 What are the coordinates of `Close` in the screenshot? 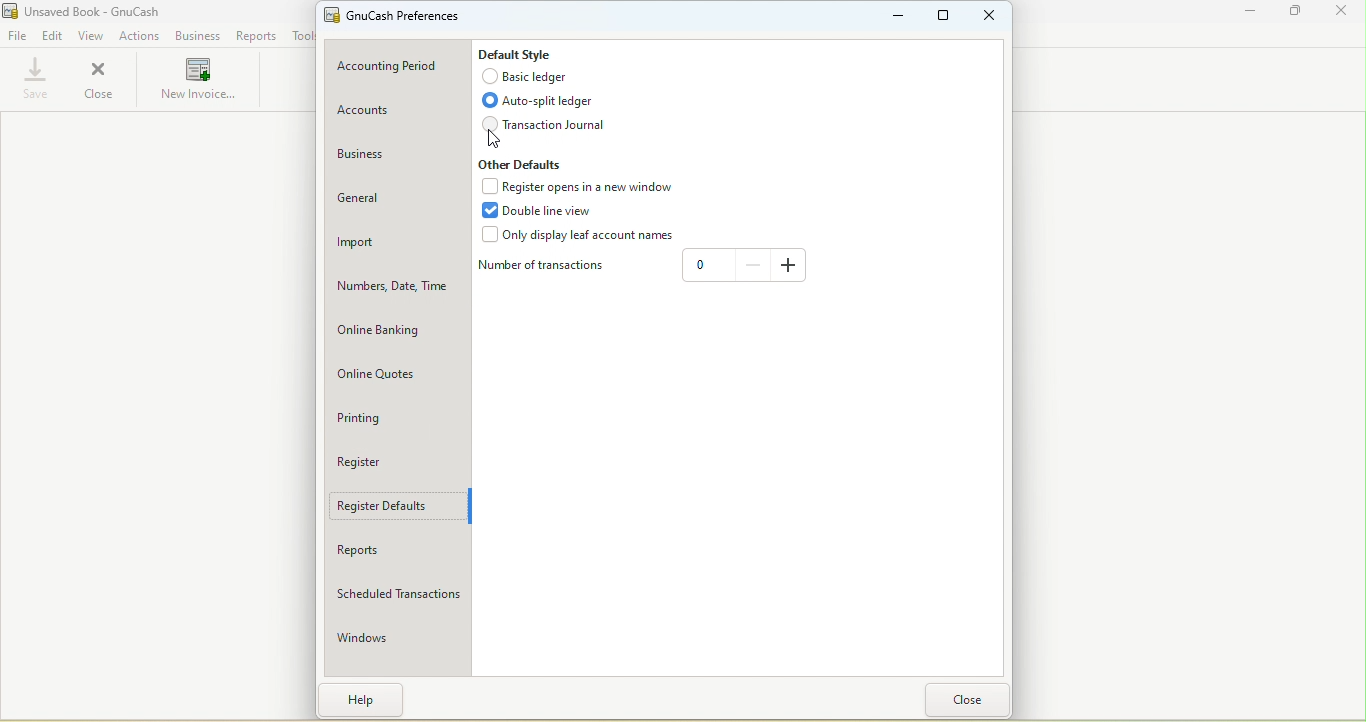 It's located at (1342, 12).